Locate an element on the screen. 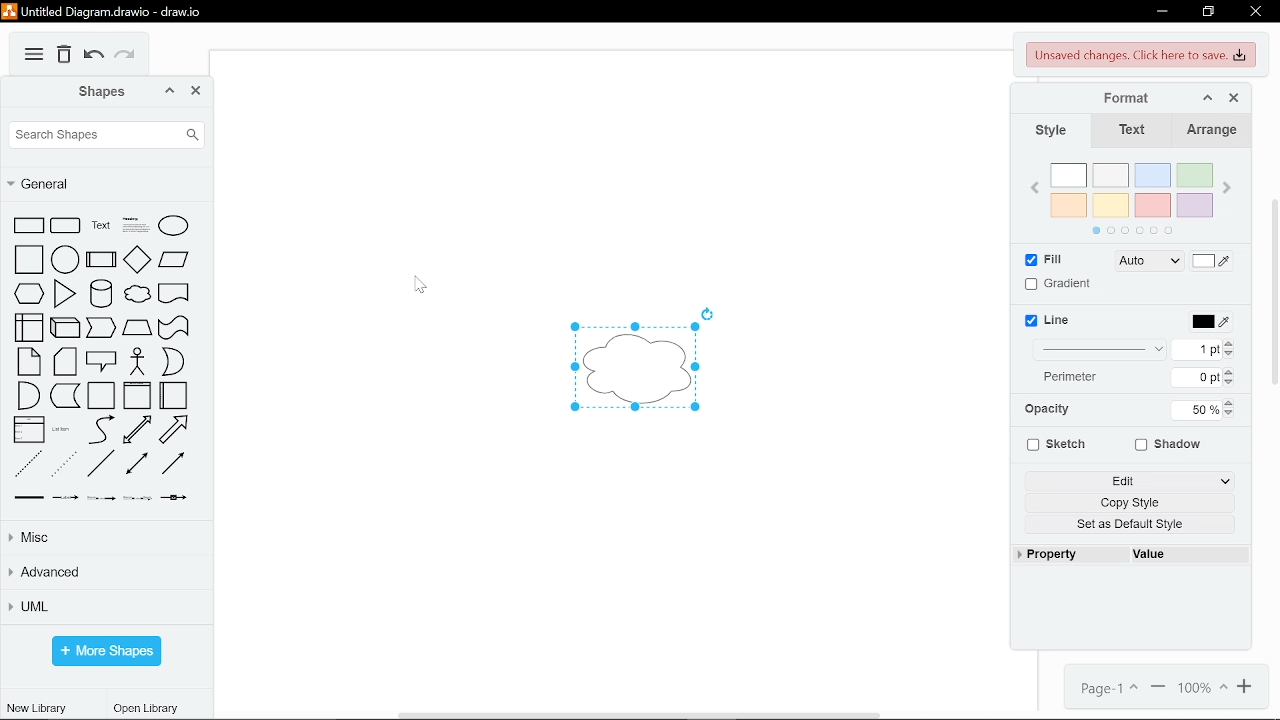  More options is located at coordinates (34, 55).